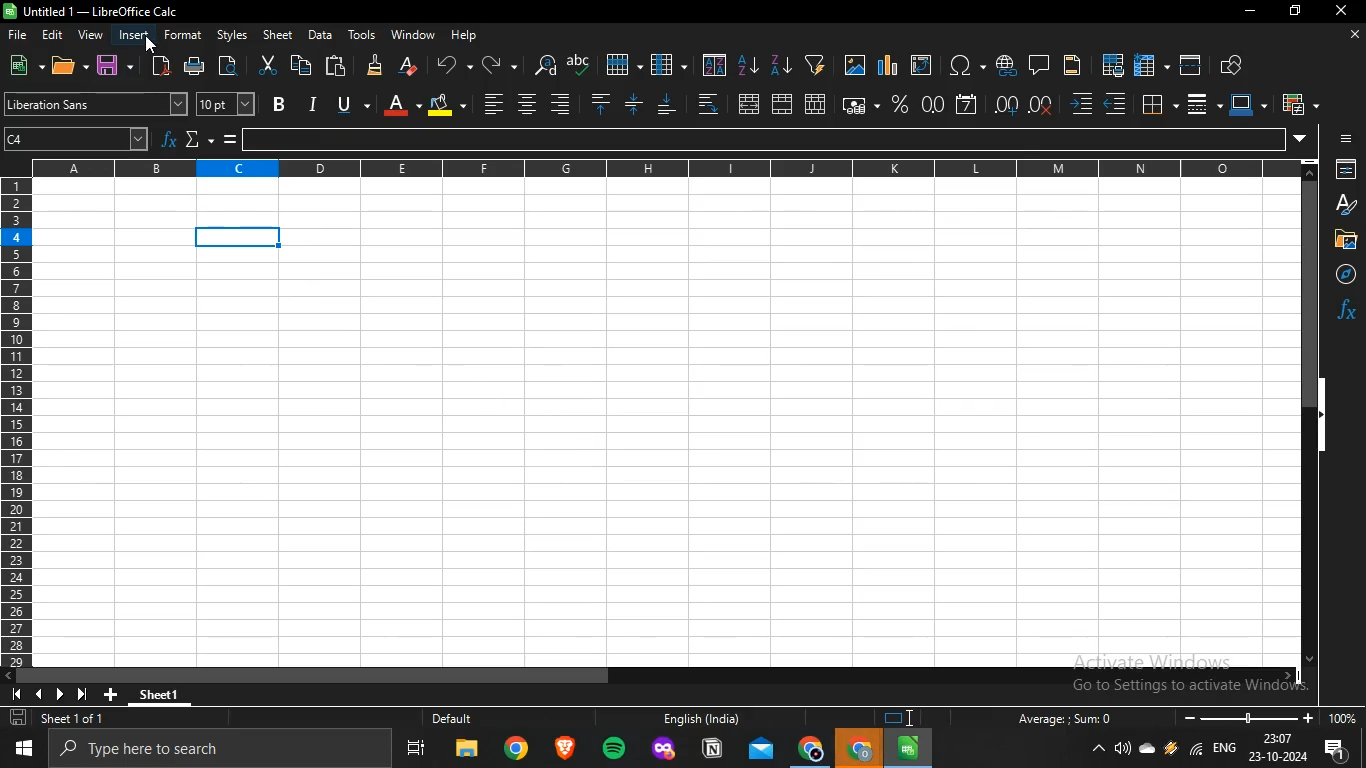 This screenshot has width=1366, height=768. I want to click on mozilla firefox, so click(664, 750).